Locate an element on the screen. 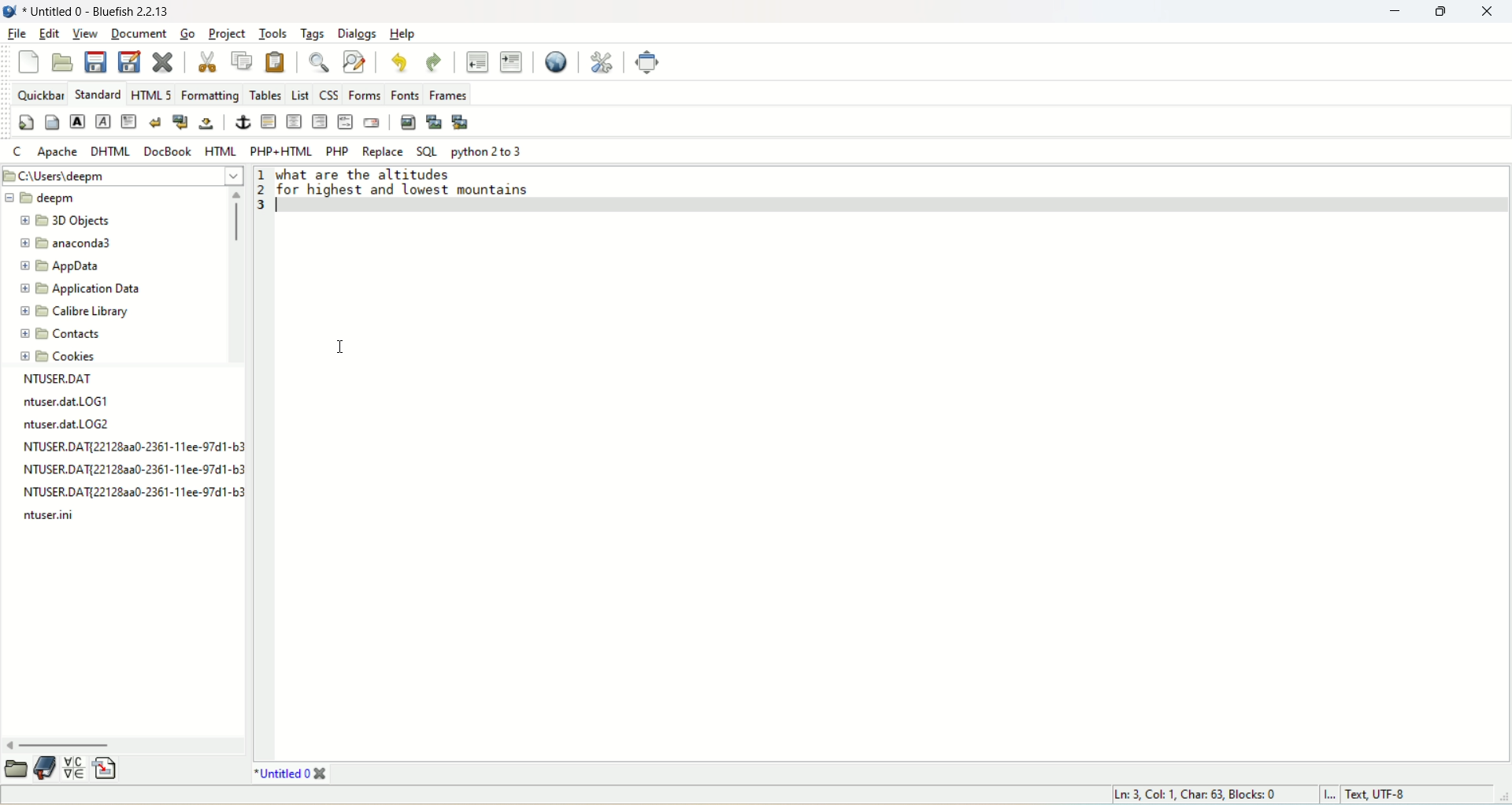 The width and height of the screenshot is (1512, 805). paste is located at coordinates (276, 61).